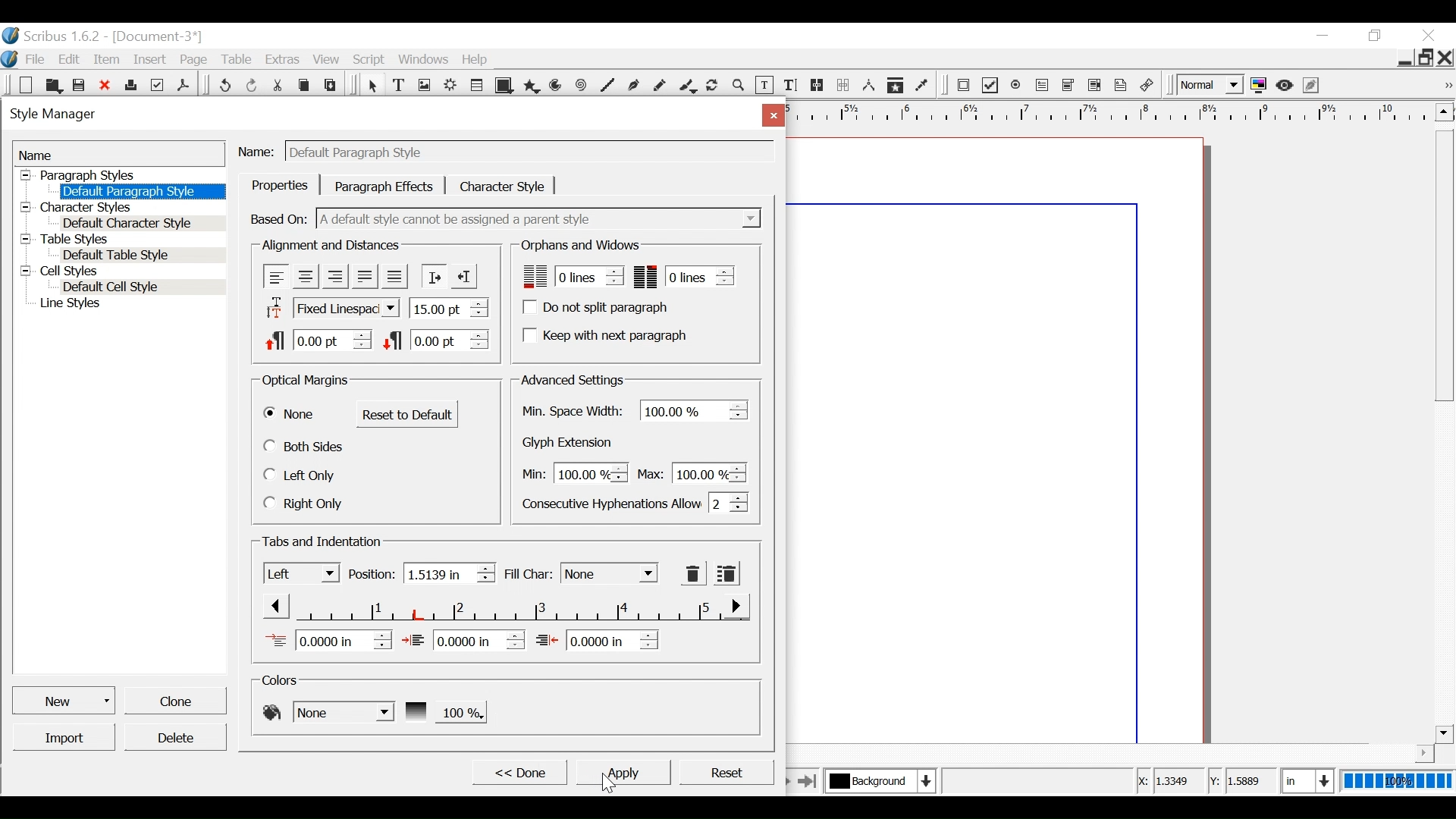  I want to click on Alignment and Distances, so click(331, 246).